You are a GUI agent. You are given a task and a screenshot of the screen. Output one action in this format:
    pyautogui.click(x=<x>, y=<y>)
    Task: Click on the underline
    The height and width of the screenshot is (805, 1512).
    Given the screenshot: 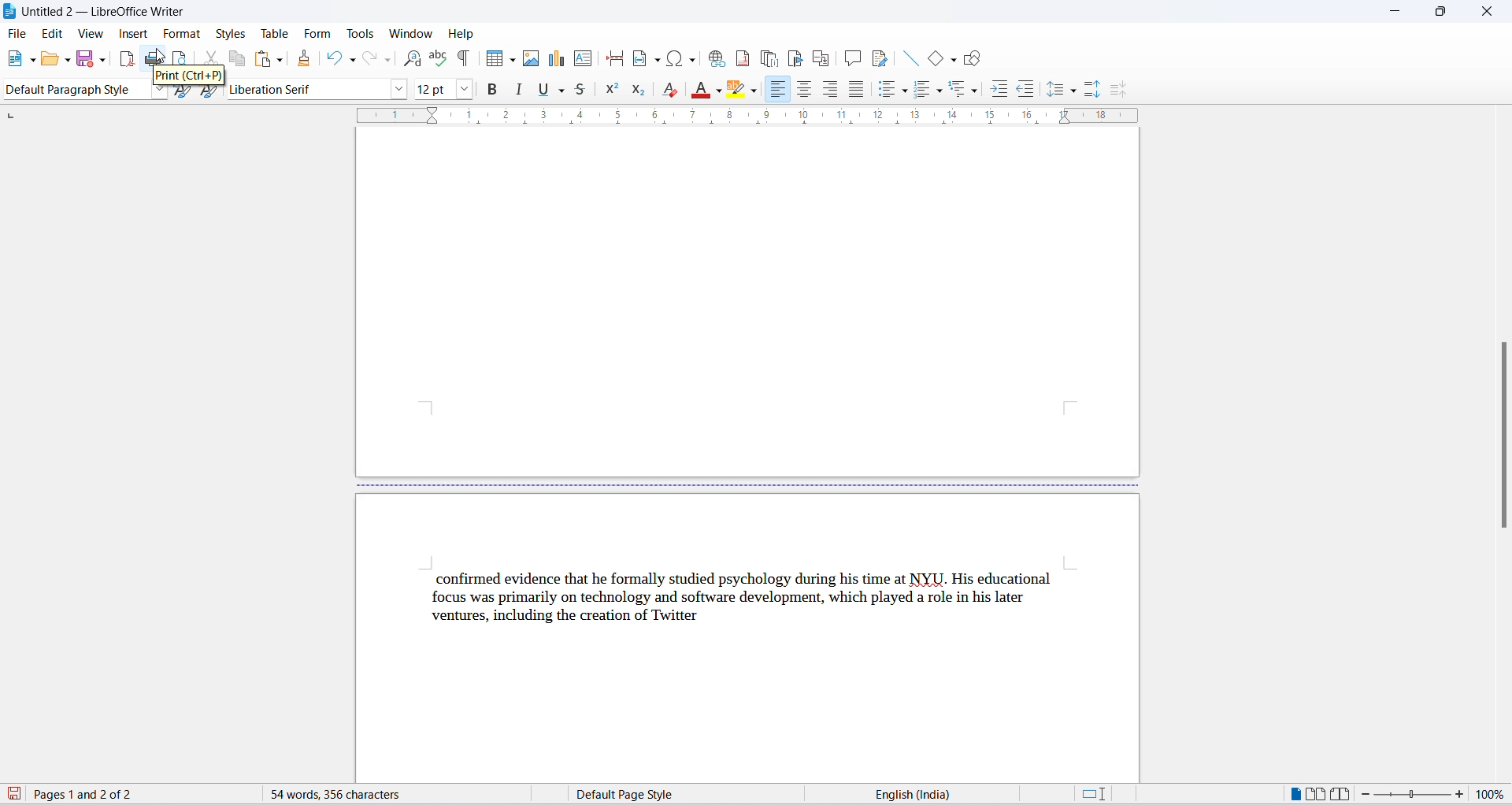 What is the action you would take?
    pyautogui.click(x=548, y=91)
    